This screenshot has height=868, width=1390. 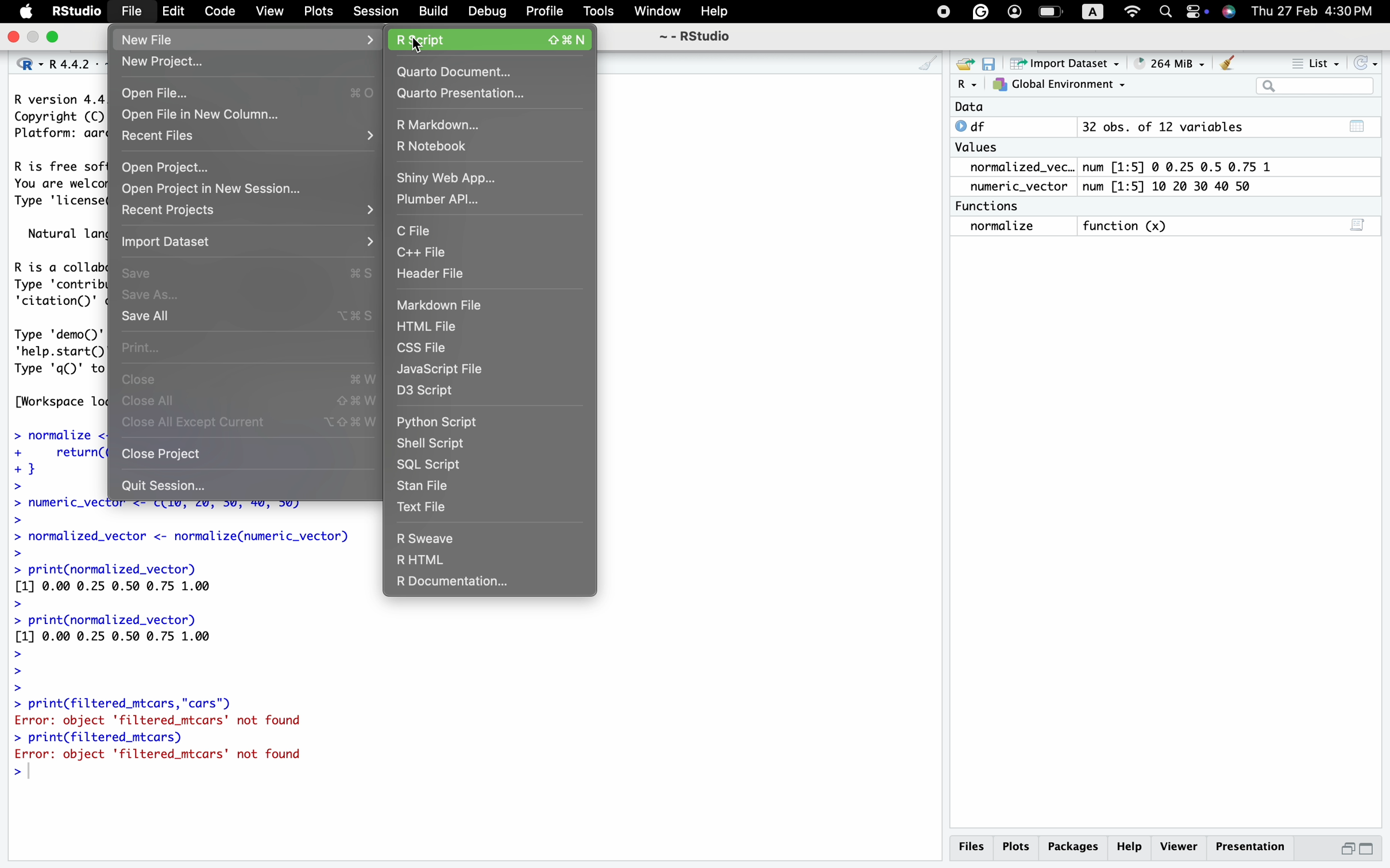 What do you see at coordinates (491, 180) in the screenshot?
I see `shiny web app..` at bounding box center [491, 180].